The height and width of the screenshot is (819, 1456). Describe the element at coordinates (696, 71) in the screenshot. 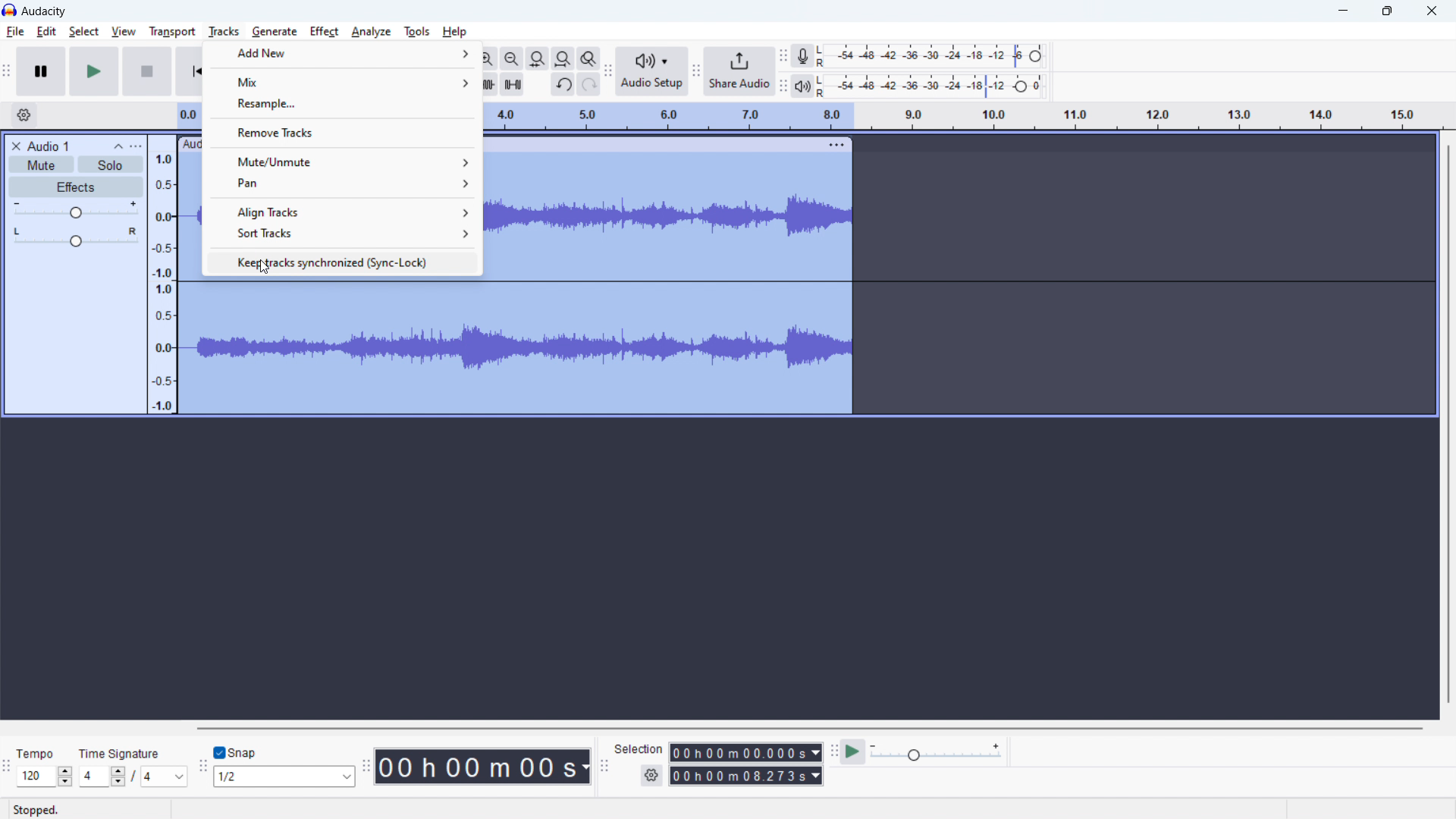

I see `share audio toolbar` at that location.